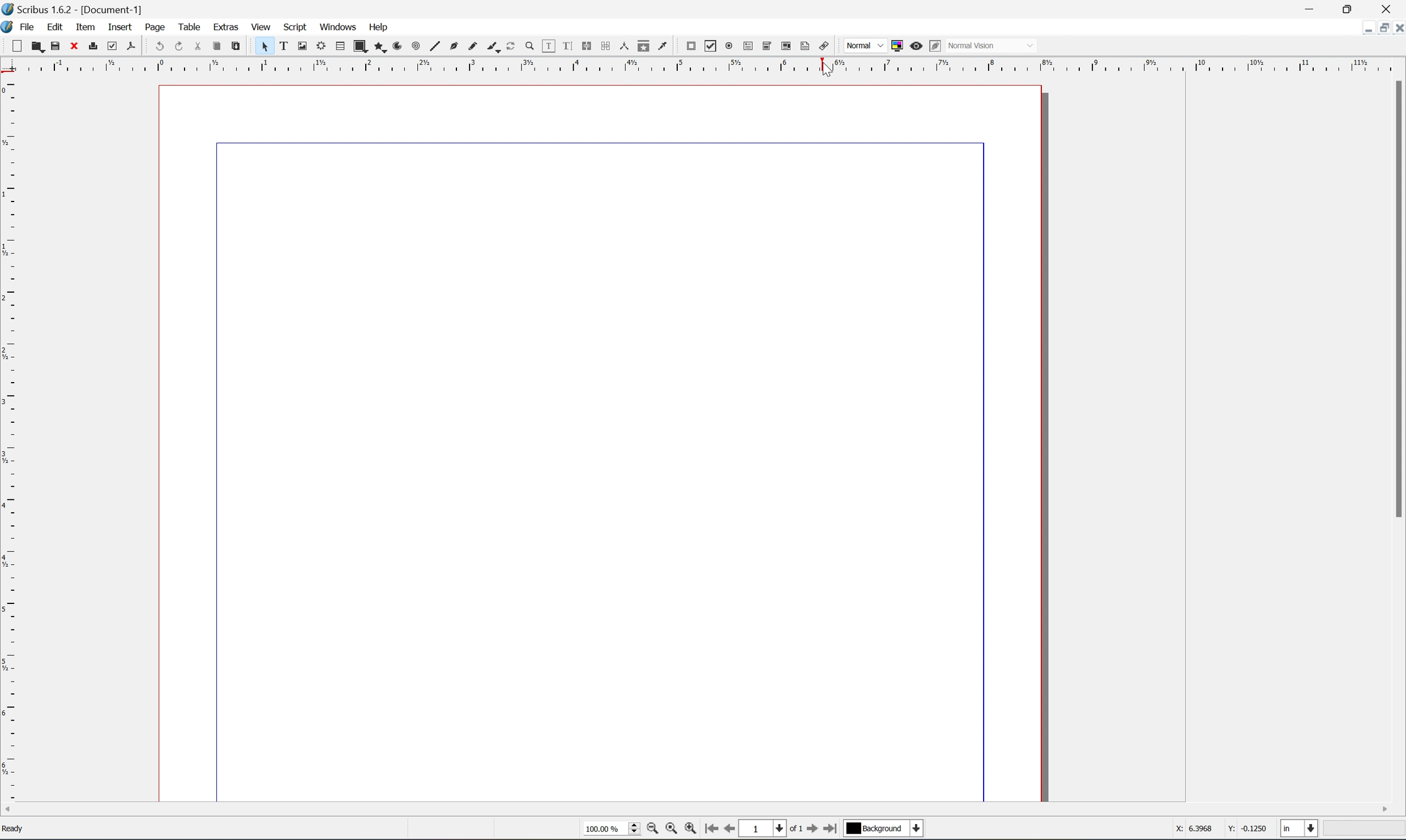  Describe the element at coordinates (54, 45) in the screenshot. I see `save` at that location.